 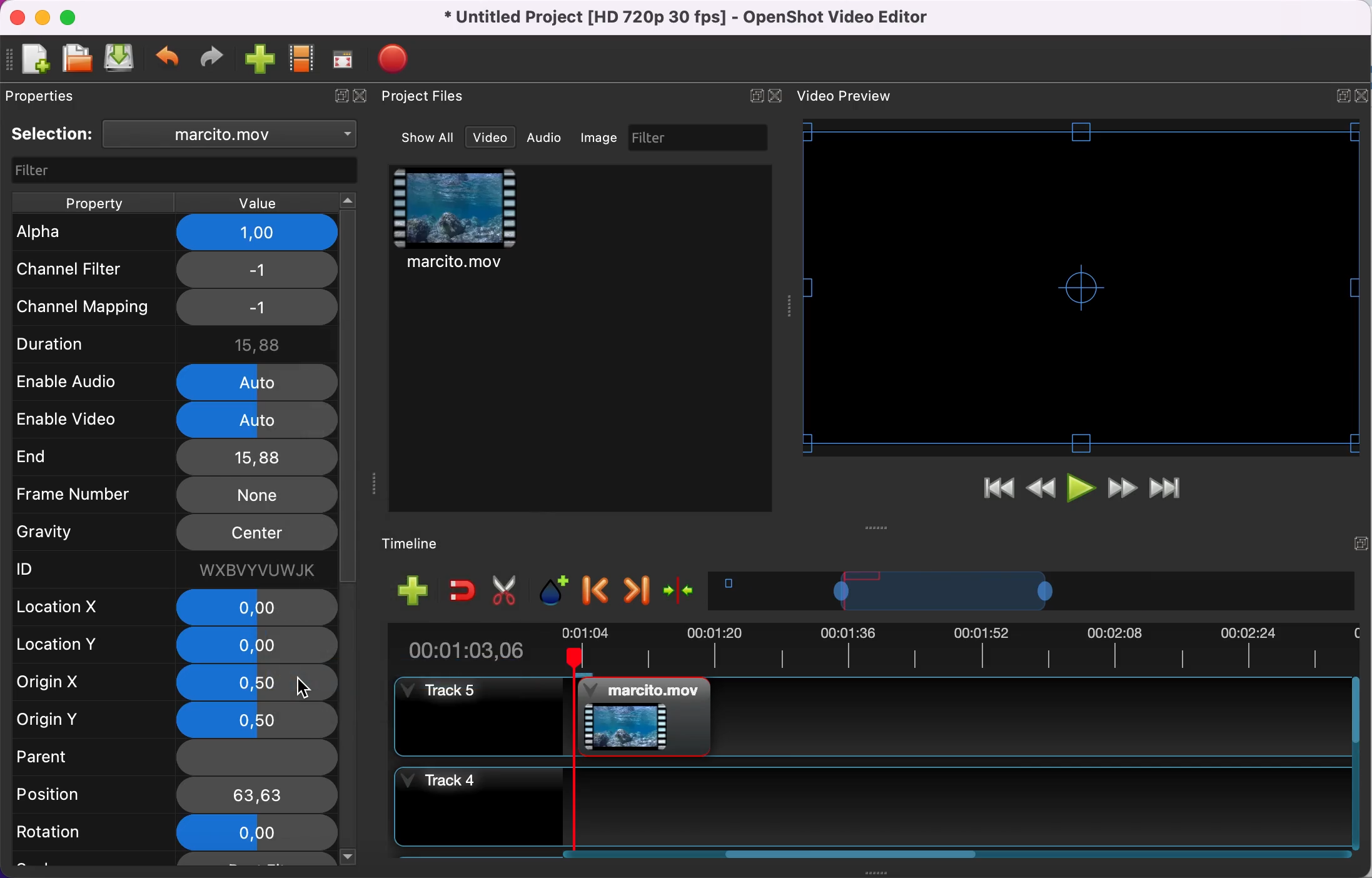 What do you see at coordinates (556, 591) in the screenshot?
I see `add marker` at bounding box center [556, 591].